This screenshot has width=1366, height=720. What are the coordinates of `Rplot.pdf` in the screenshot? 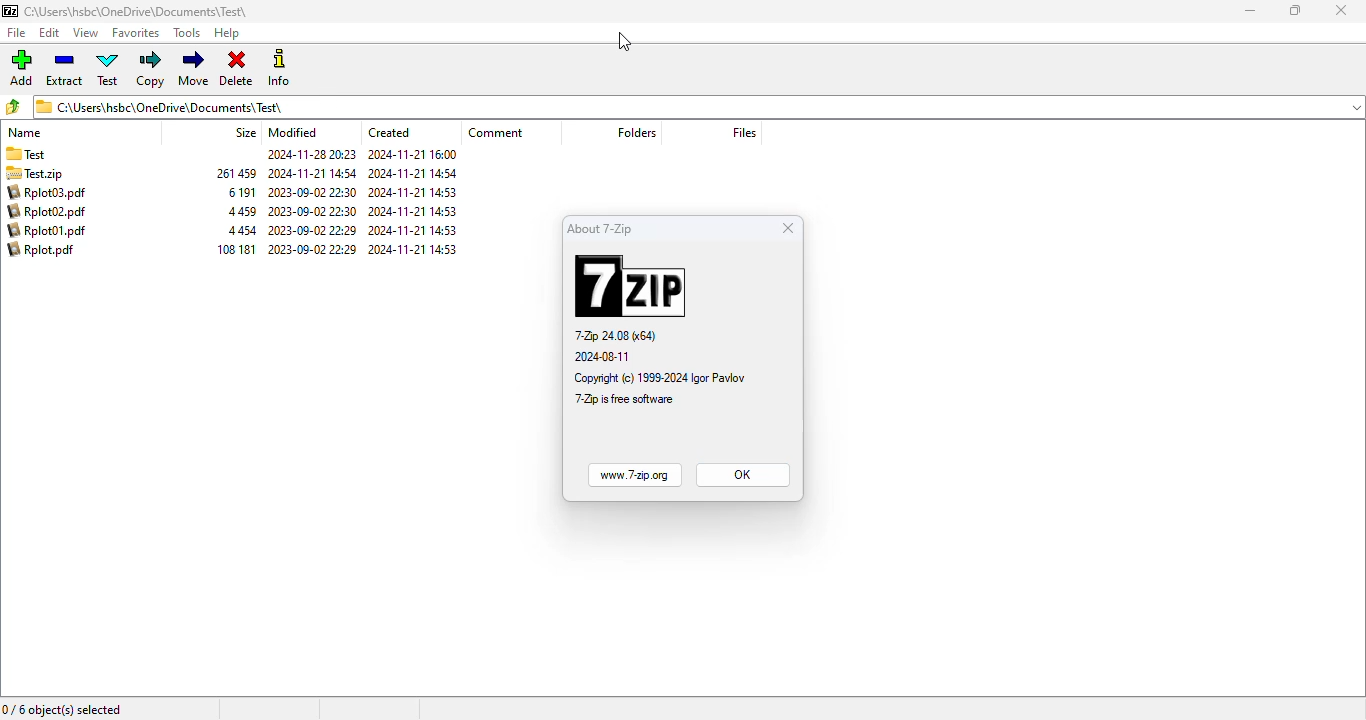 It's located at (46, 250).